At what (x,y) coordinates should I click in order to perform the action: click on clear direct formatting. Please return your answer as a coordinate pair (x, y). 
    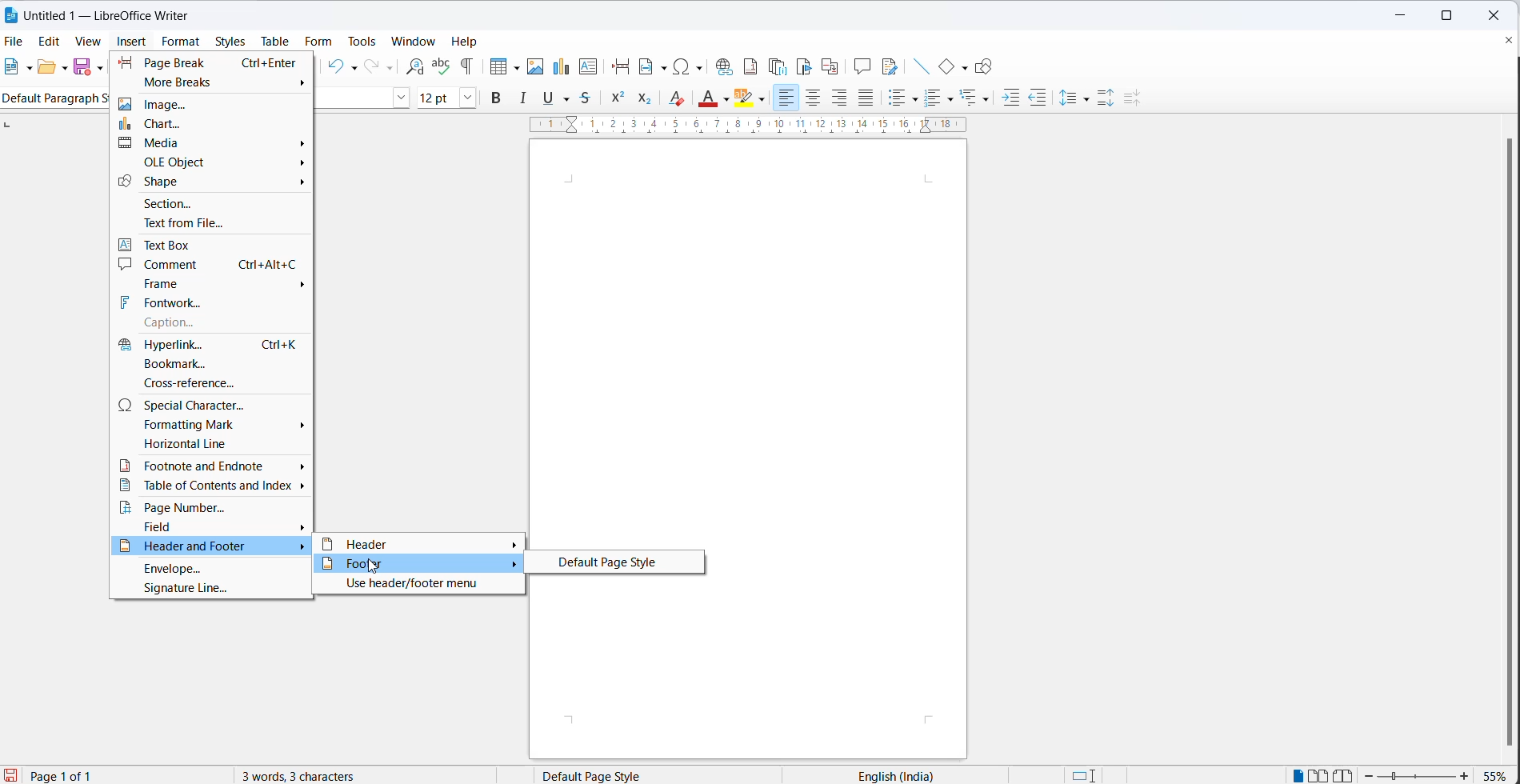
    Looking at the image, I should click on (679, 99).